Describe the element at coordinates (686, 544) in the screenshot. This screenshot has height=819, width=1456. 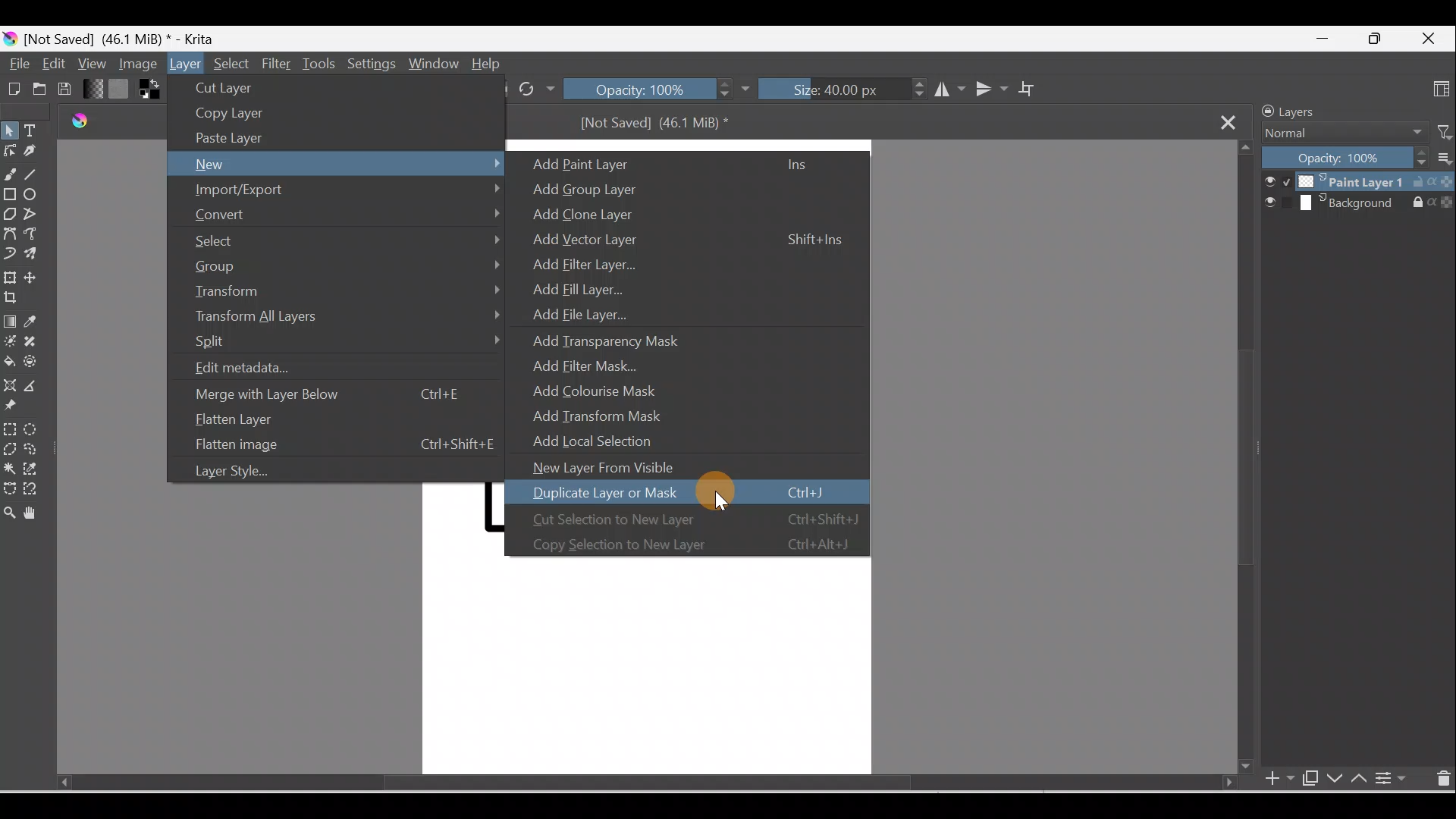
I see `Copy selection to new layer  Ctrl+Alt+J` at that location.